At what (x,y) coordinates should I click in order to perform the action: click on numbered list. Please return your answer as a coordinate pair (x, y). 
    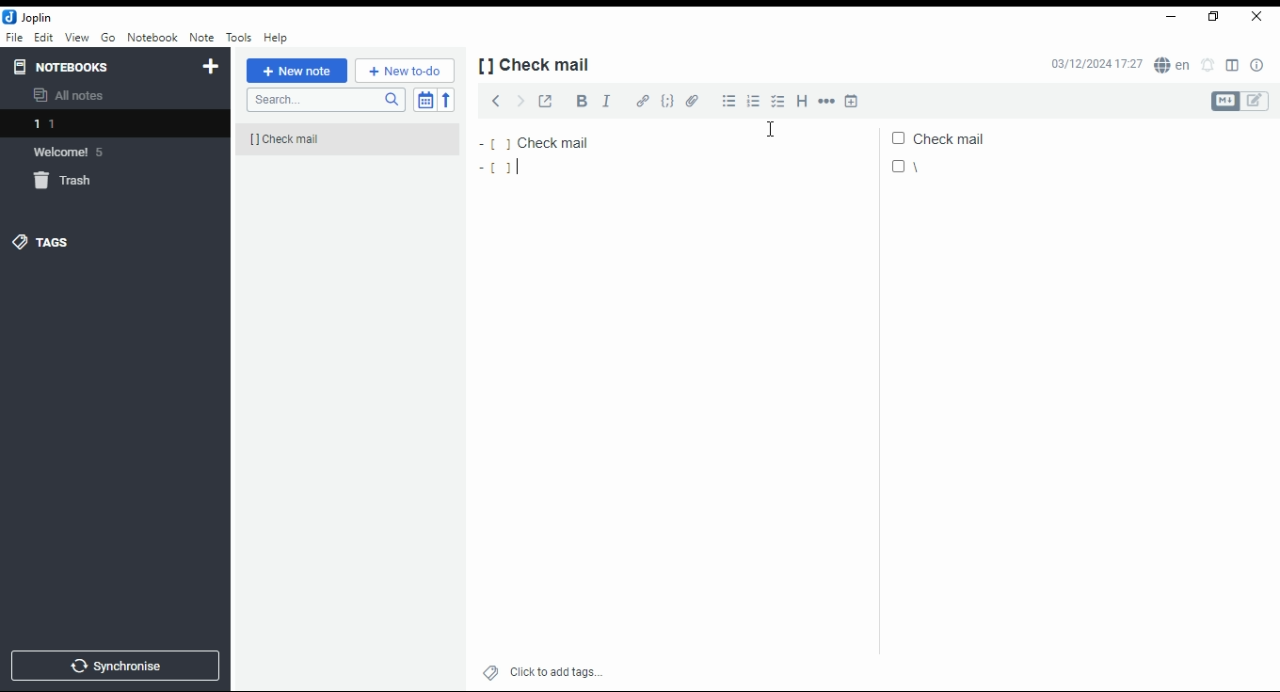
    Looking at the image, I should click on (752, 102).